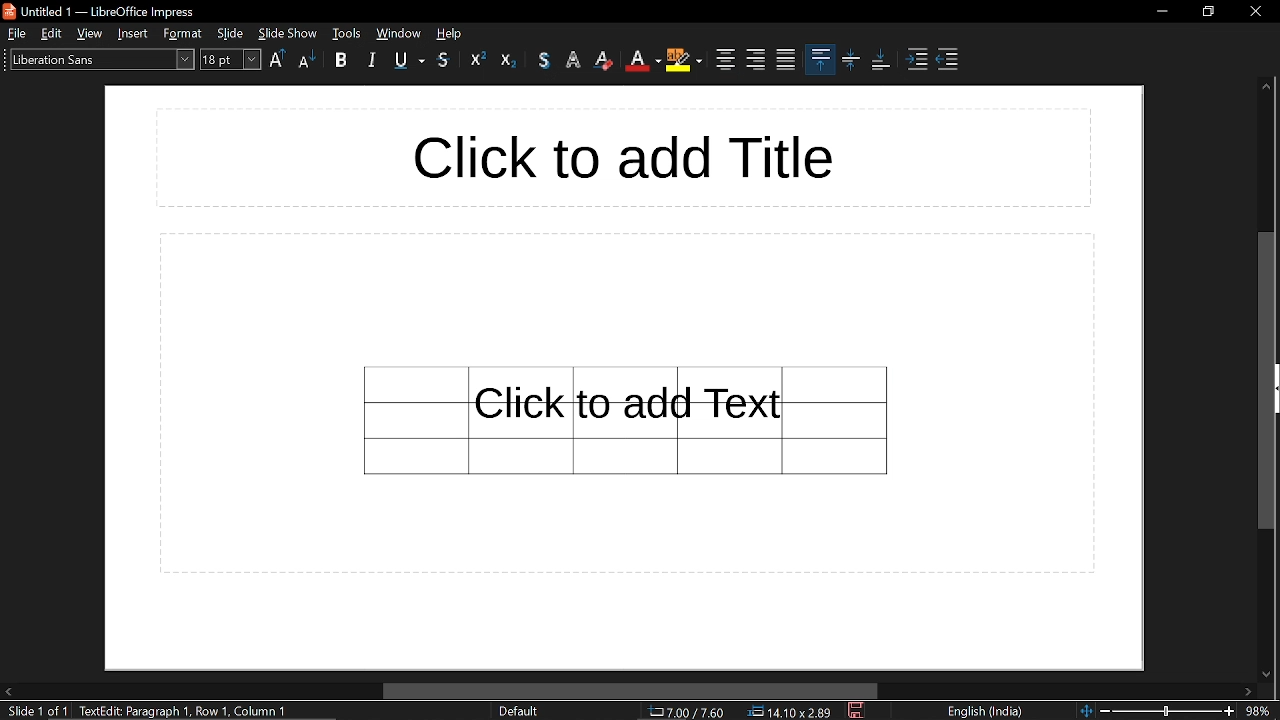 The height and width of the screenshot is (720, 1280). What do you see at coordinates (1105, 710) in the screenshot?
I see `zoom out` at bounding box center [1105, 710].